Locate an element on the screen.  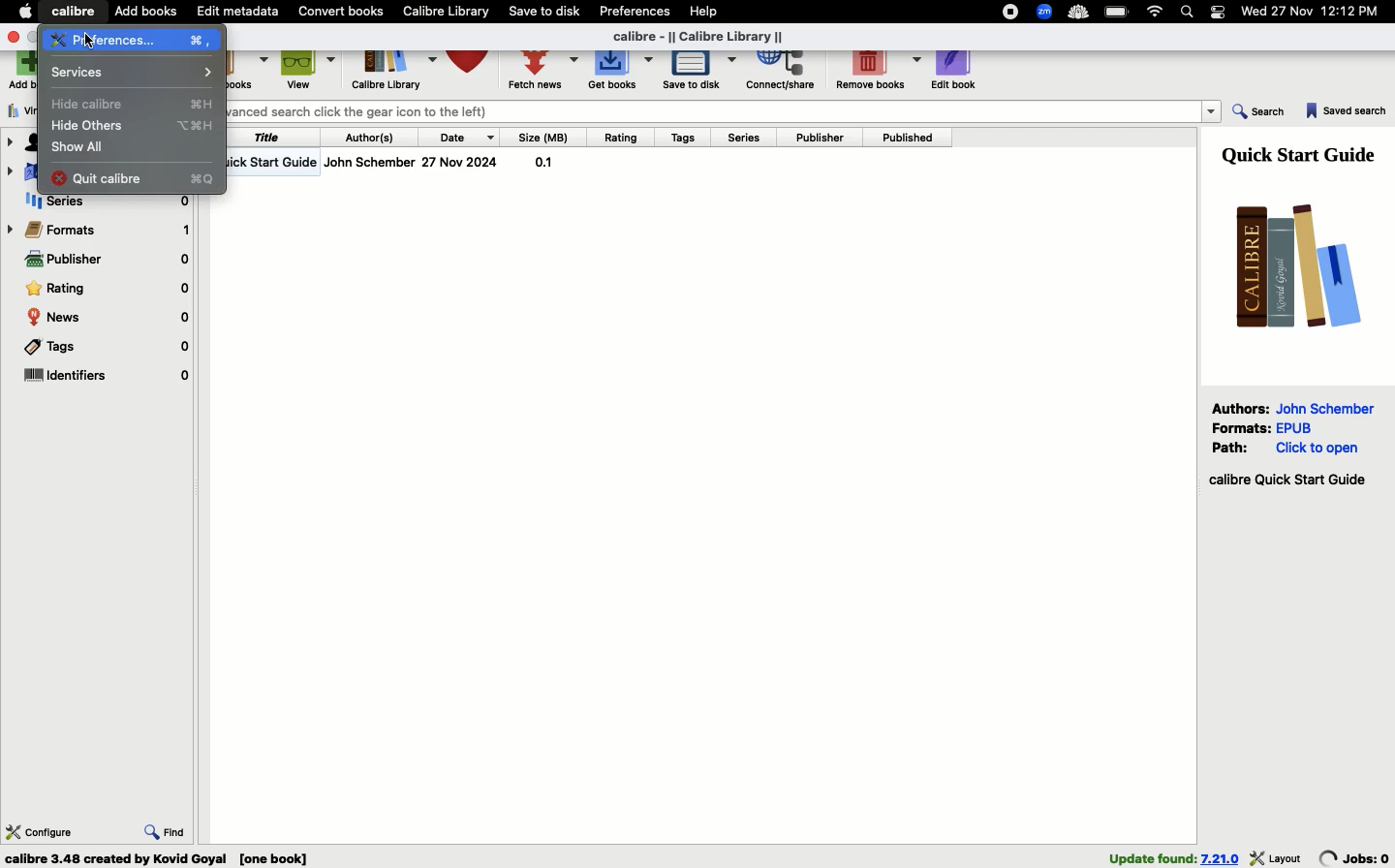
Fetch news is located at coordinates (544, 74).